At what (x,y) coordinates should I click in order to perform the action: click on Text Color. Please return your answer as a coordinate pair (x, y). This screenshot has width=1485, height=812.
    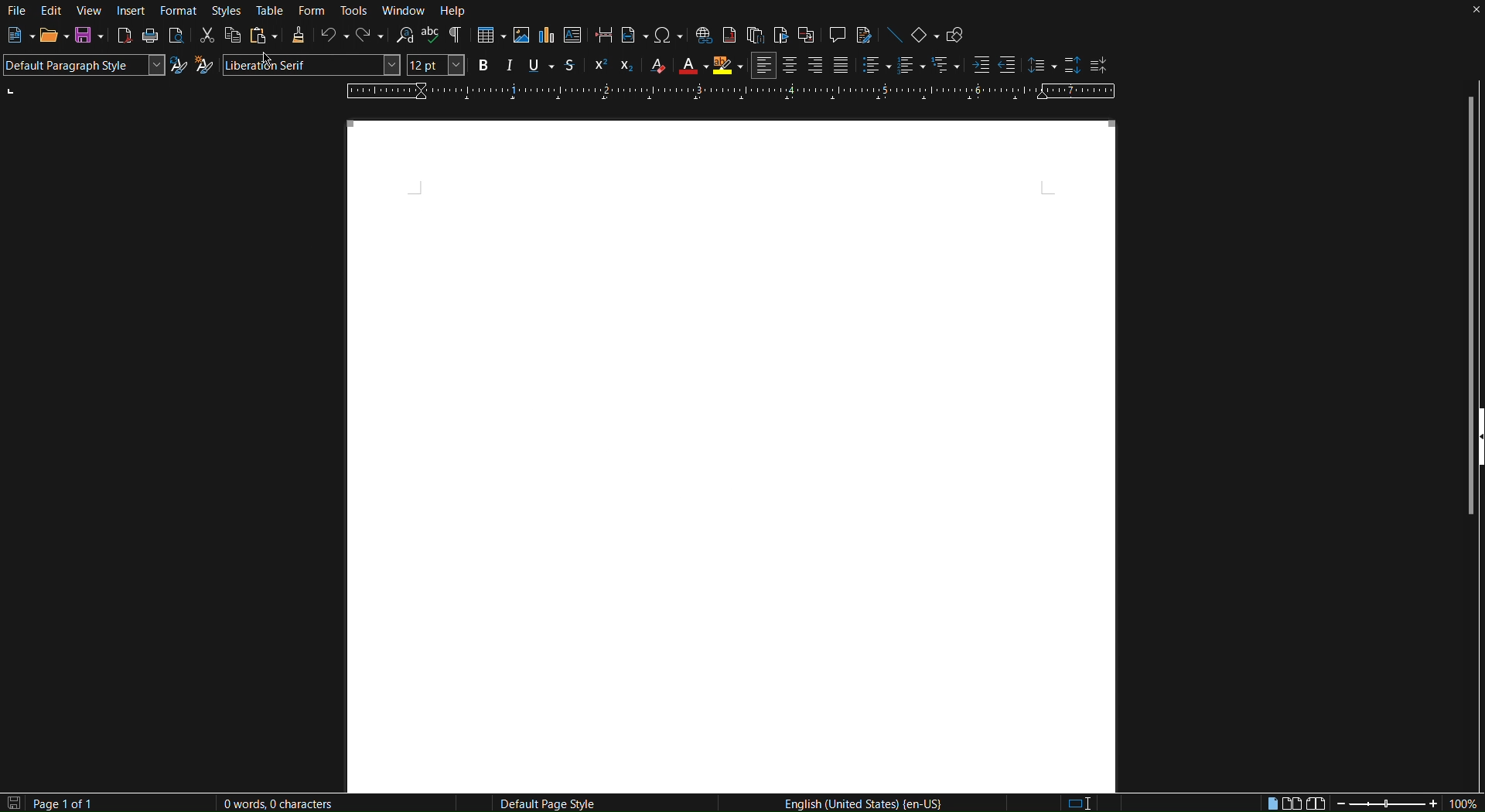
    Looking at the image, I should click on (691, 66).